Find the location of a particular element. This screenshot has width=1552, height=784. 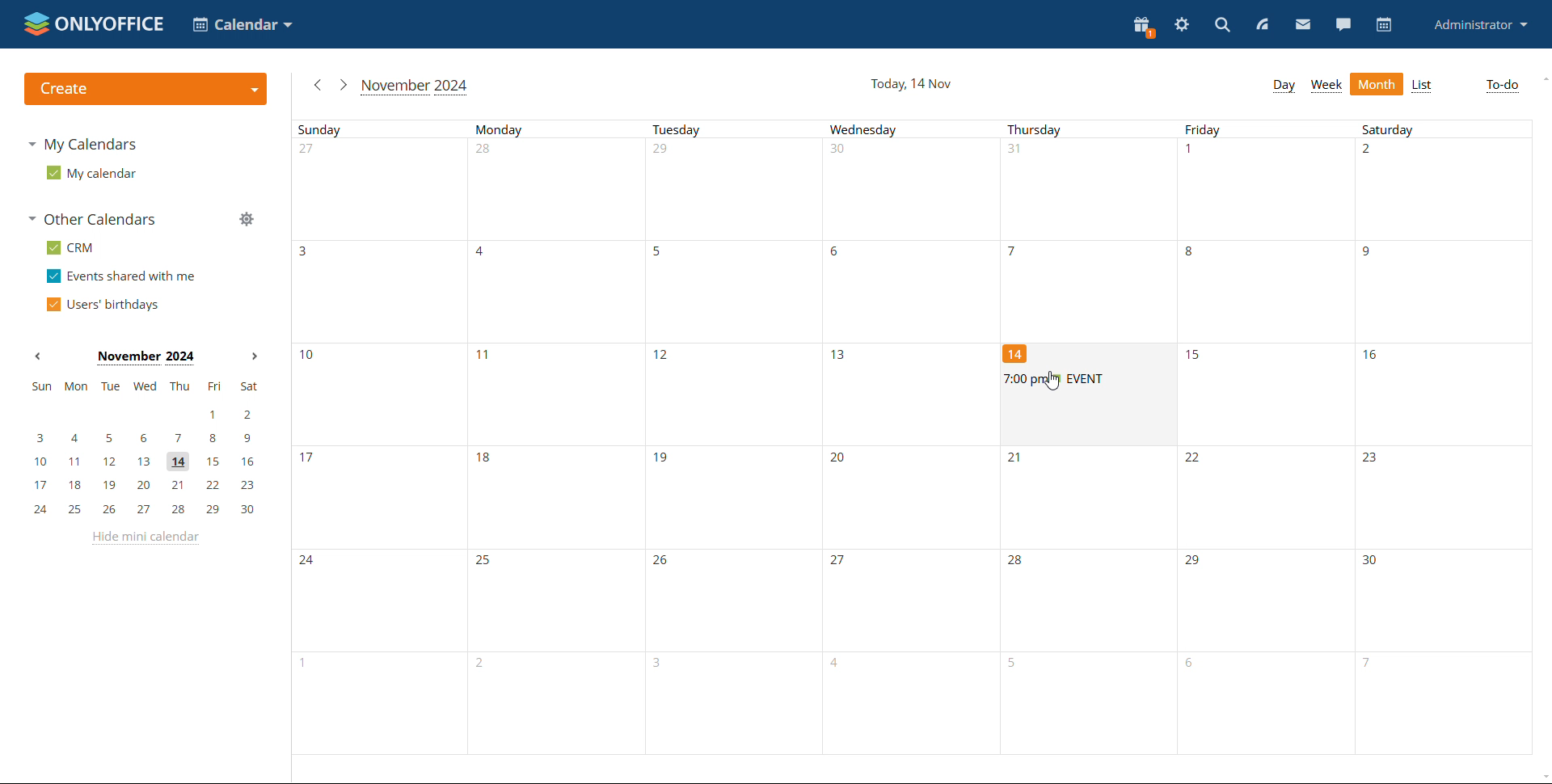

current month is located at coordinates (145, 358).